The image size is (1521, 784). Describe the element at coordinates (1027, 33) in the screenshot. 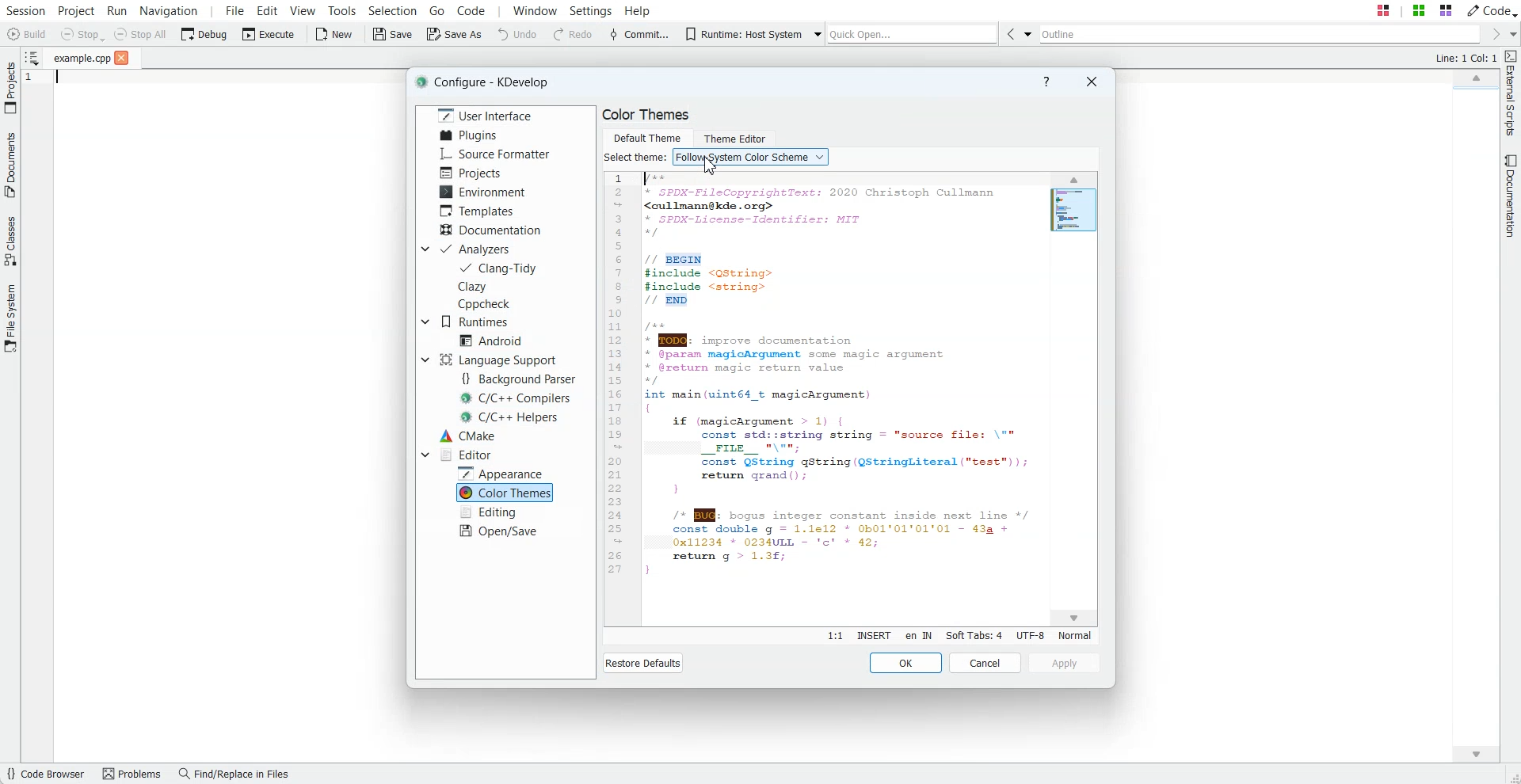

I see `Drop down box` at that location.